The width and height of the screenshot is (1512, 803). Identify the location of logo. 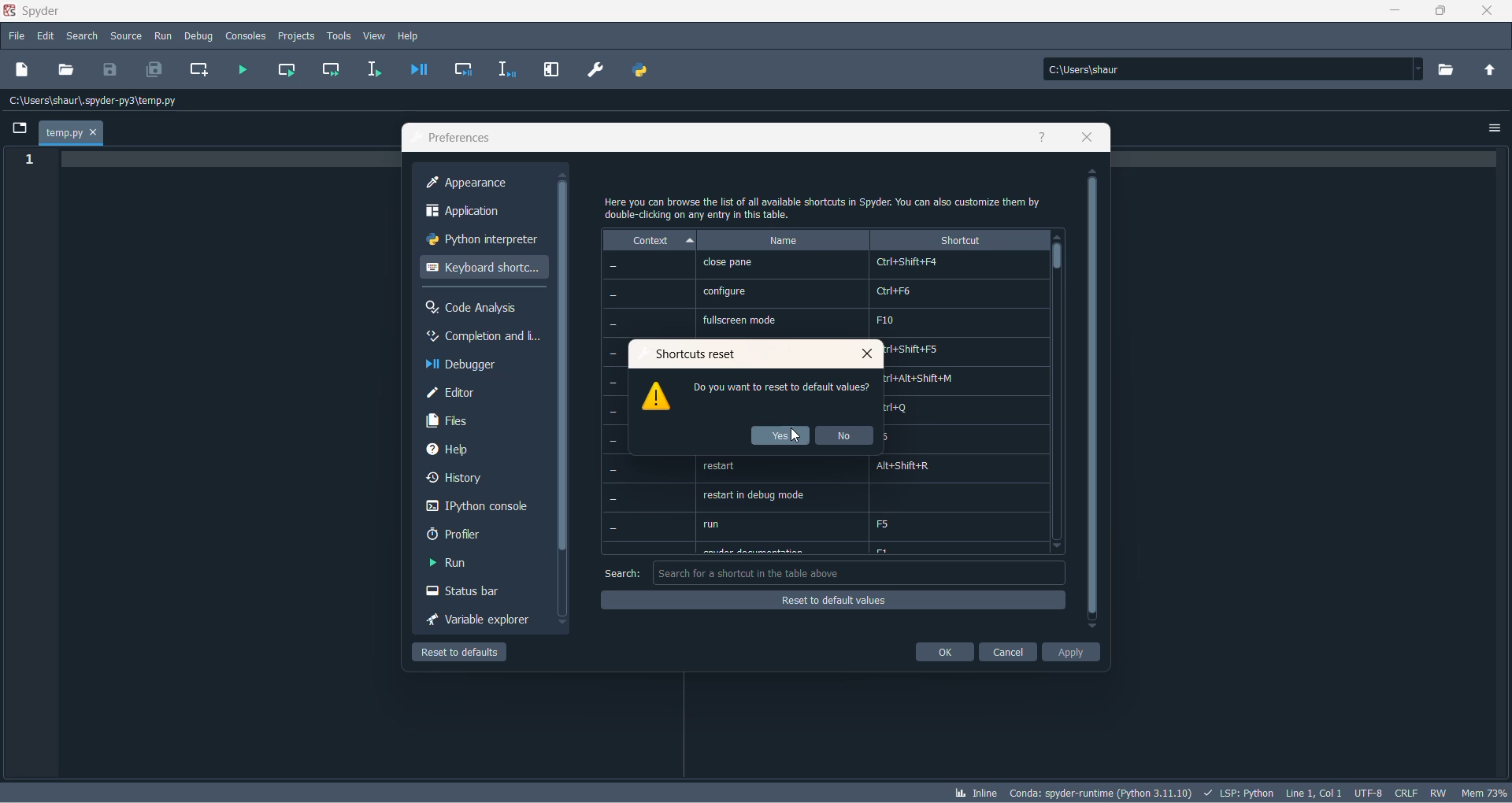
(655, 398).